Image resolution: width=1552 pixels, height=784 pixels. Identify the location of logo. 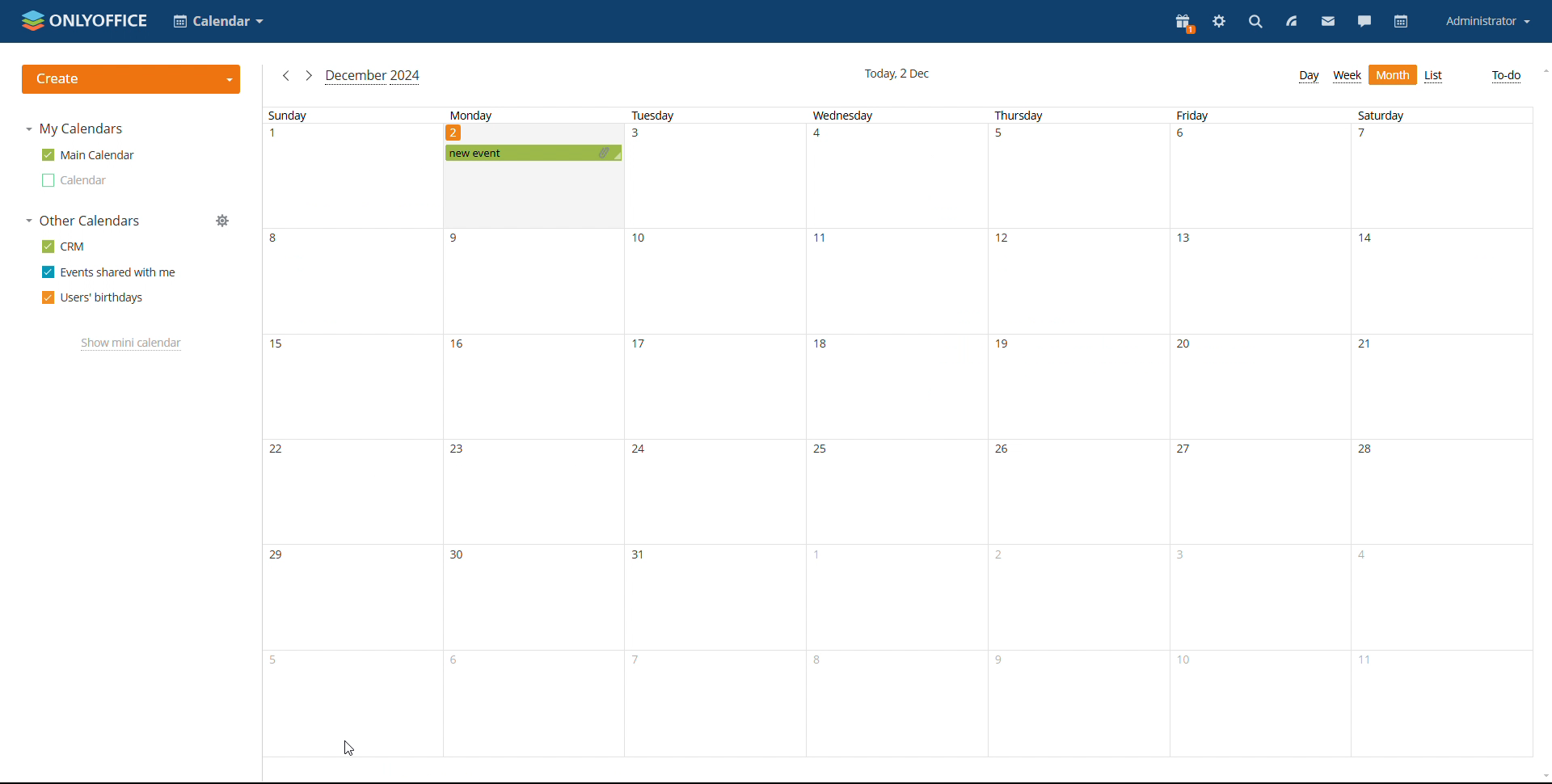
(86, 20).